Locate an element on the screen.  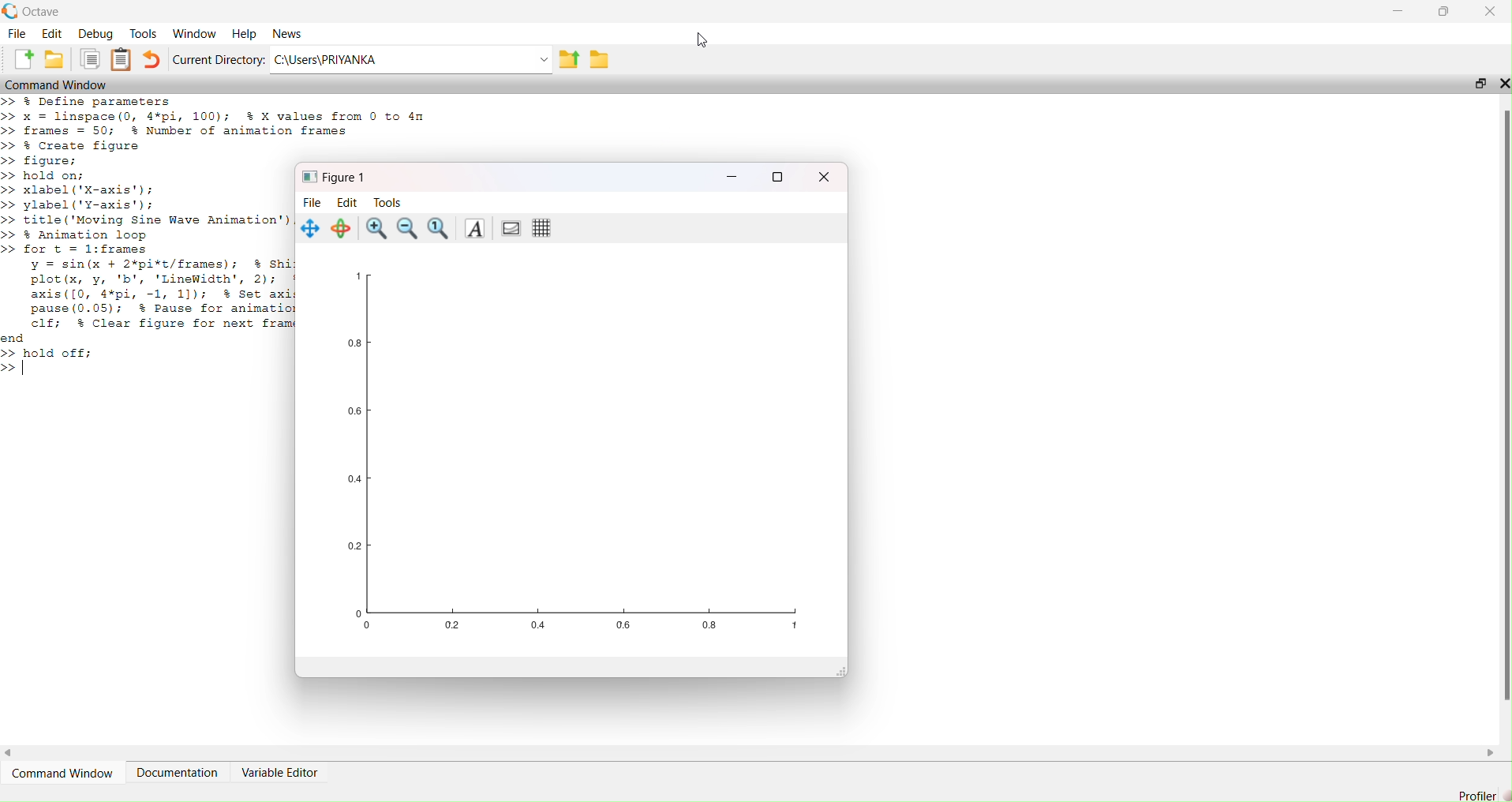
export is located at coordinates (567, 59).